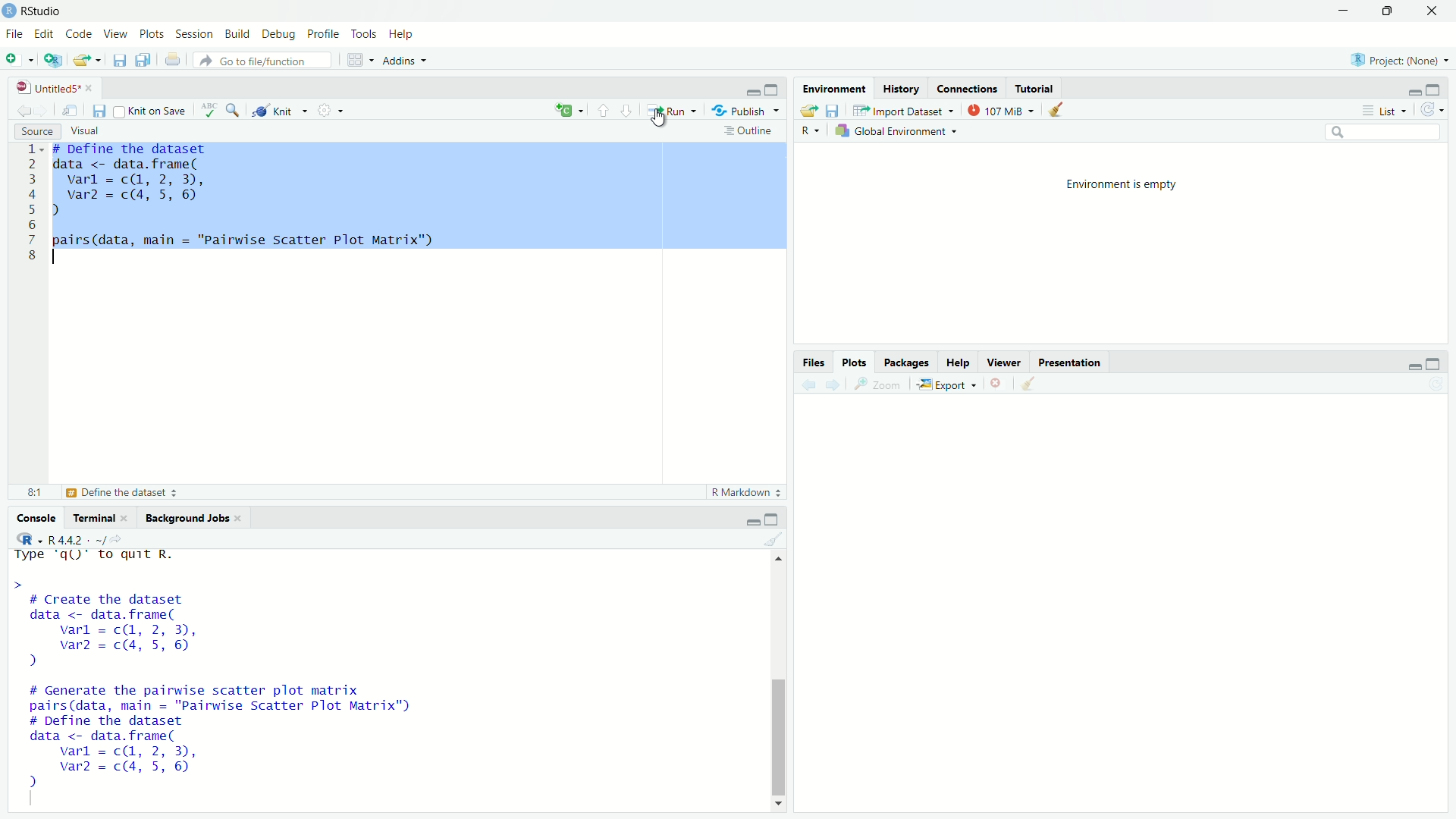  I want to click on History, so click(901, 88).